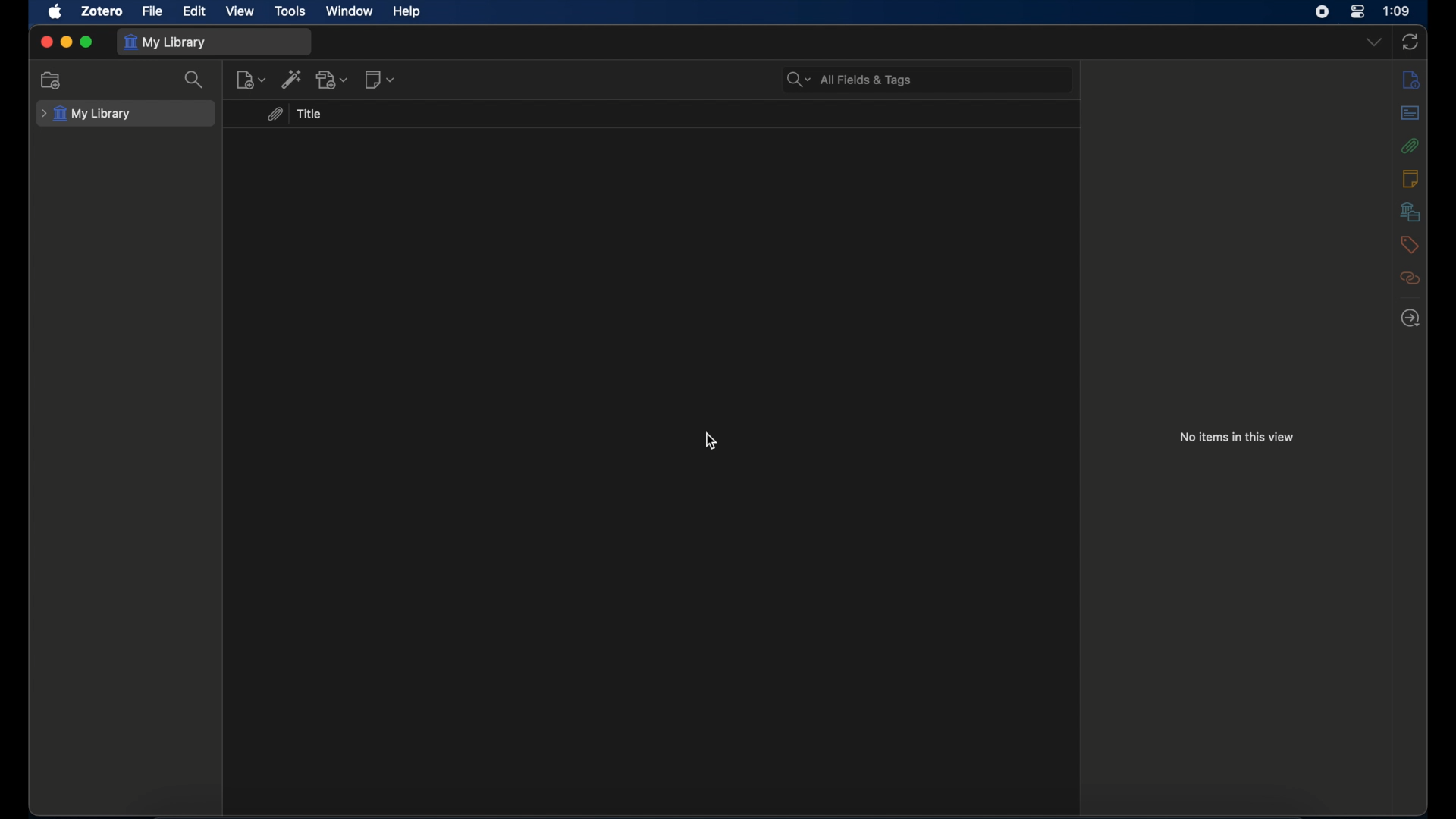  Describe the element at coordinates (1323, 12) in the screenshot. I see `screen recorder` at that location.